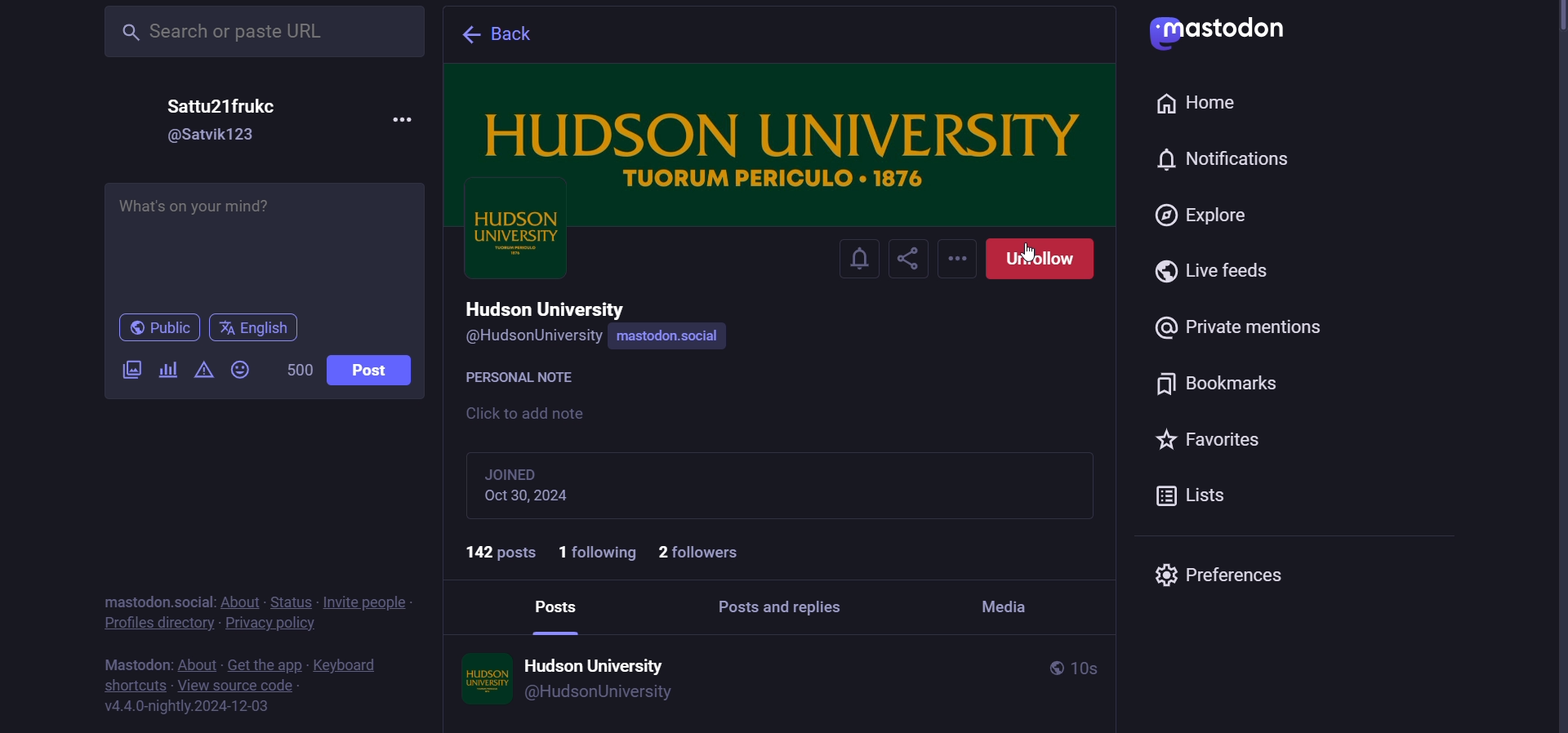  I want to click on What's on your mind?, so click(265, 247).